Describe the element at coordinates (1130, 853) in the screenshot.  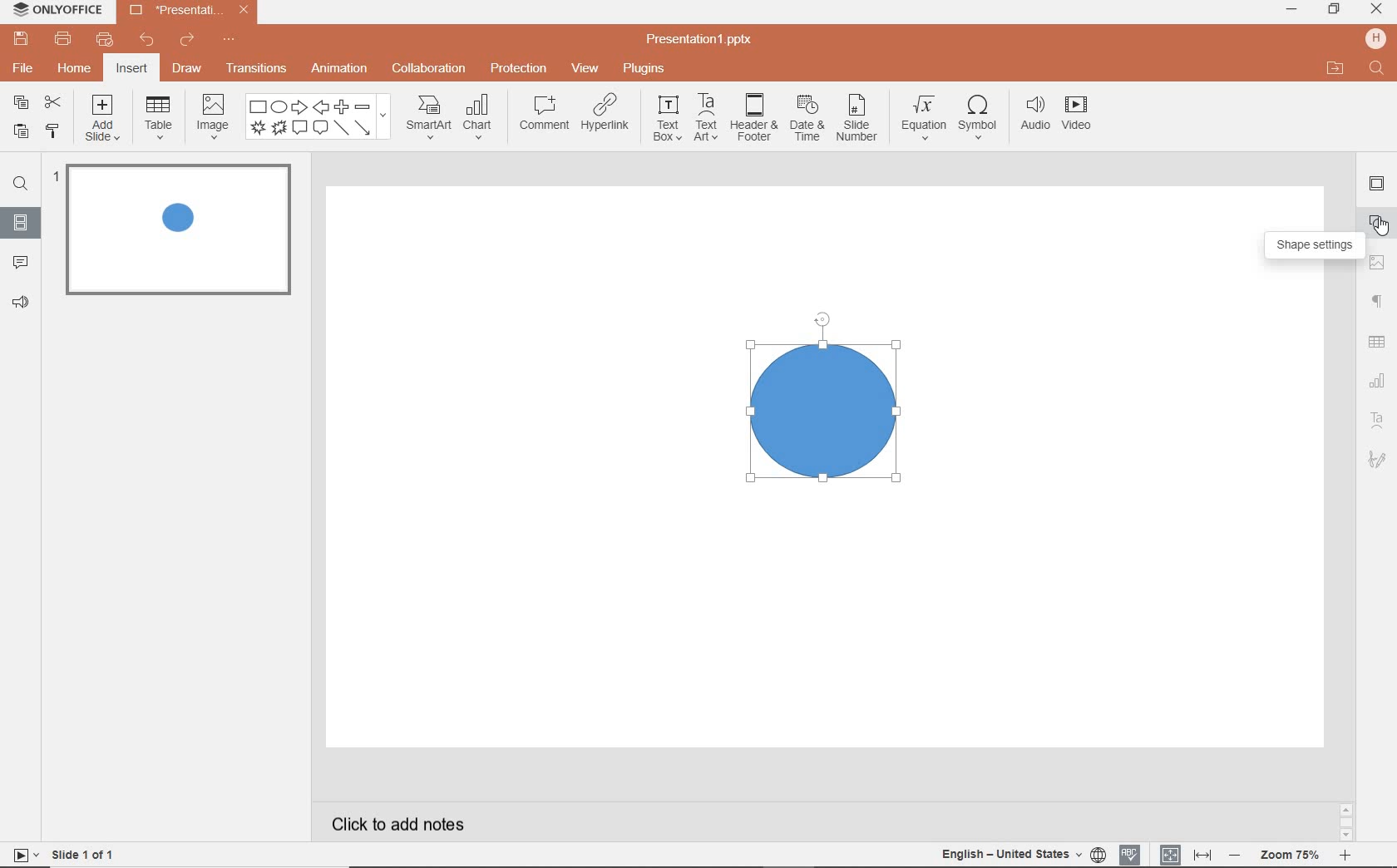
I see `spell checking` at that location.